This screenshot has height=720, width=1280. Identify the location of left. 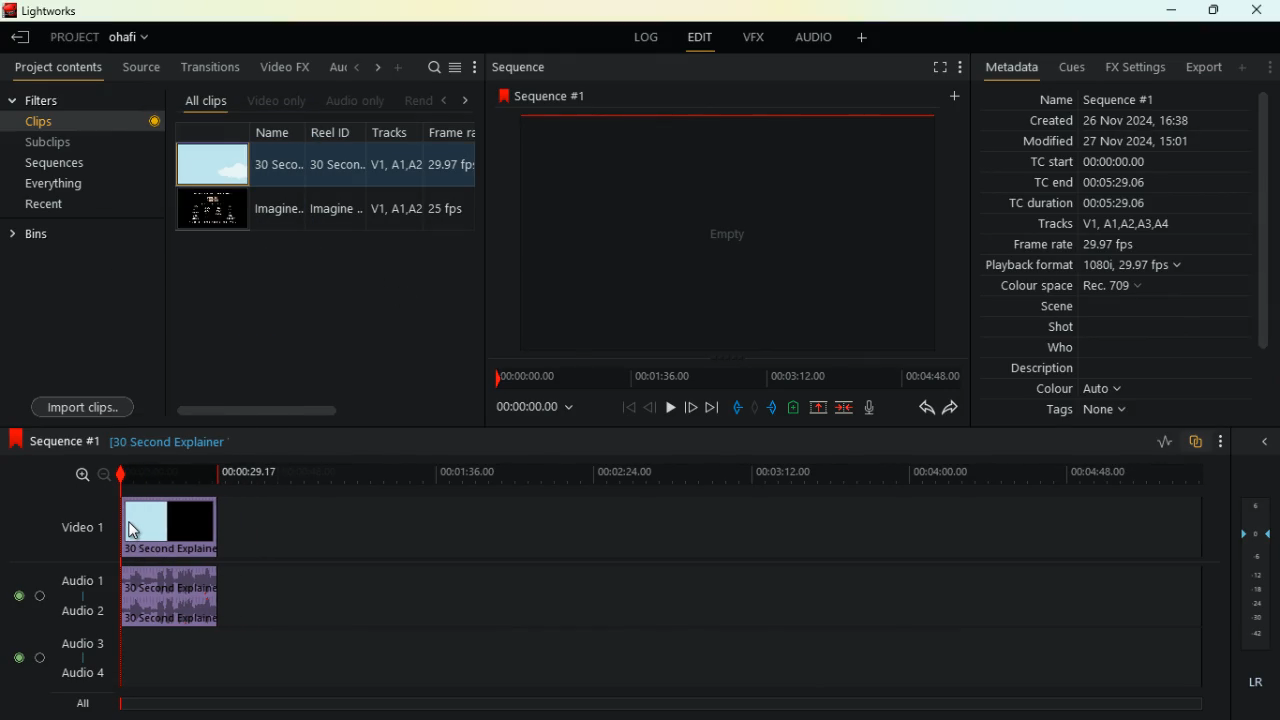
(447, 100).